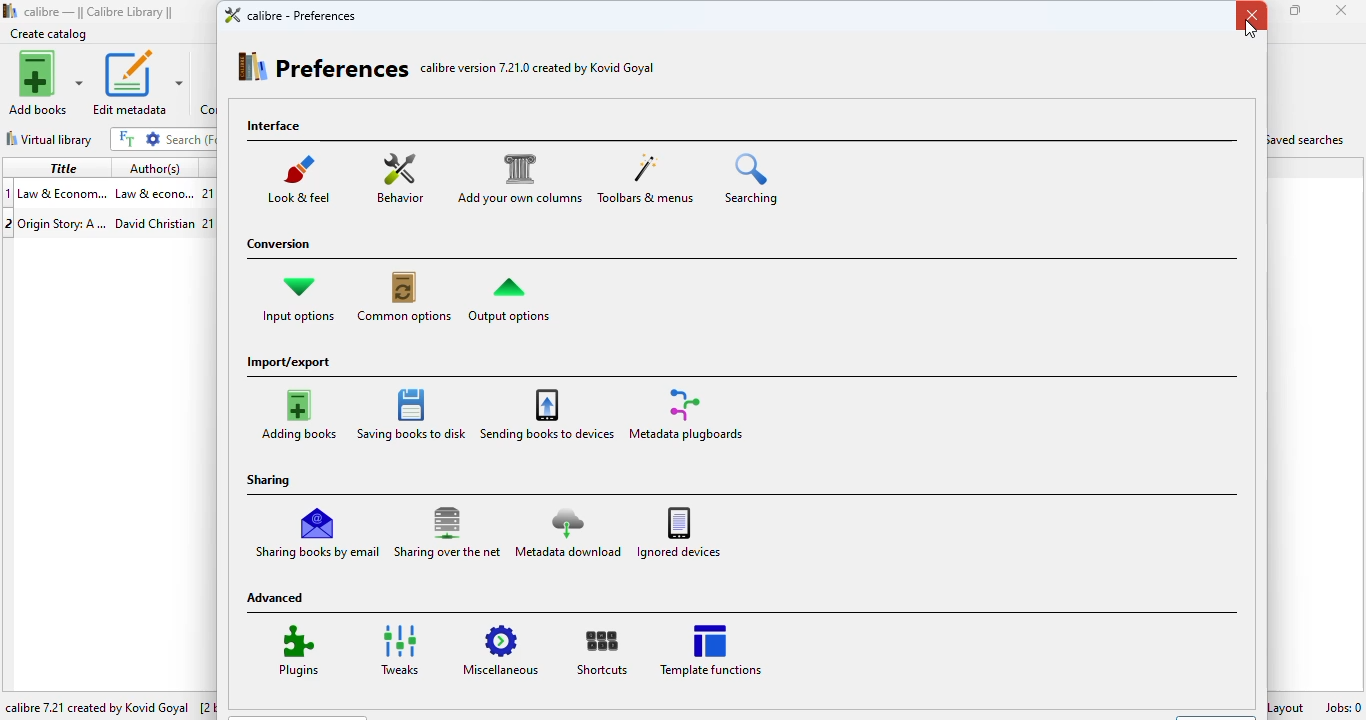  Describe the element at coordinates (448, 531) in the screenshot. I see `sharing over the net` at that location.